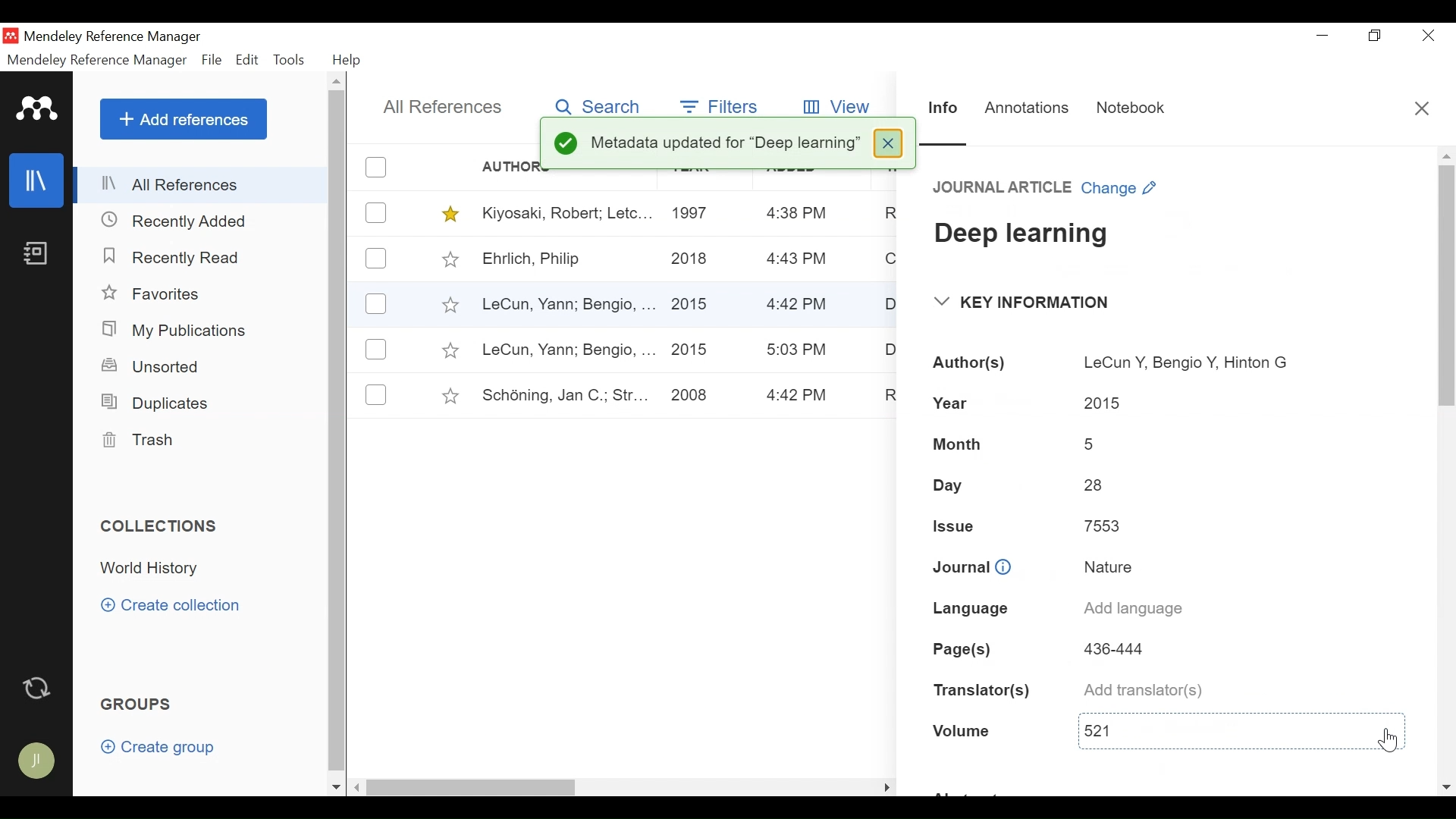 This screenshot has width=1456, height=819. What do you see at coordinates (1387, 741) in the screenshot?
I see `Cursor` at bounding box center [1387, 741].